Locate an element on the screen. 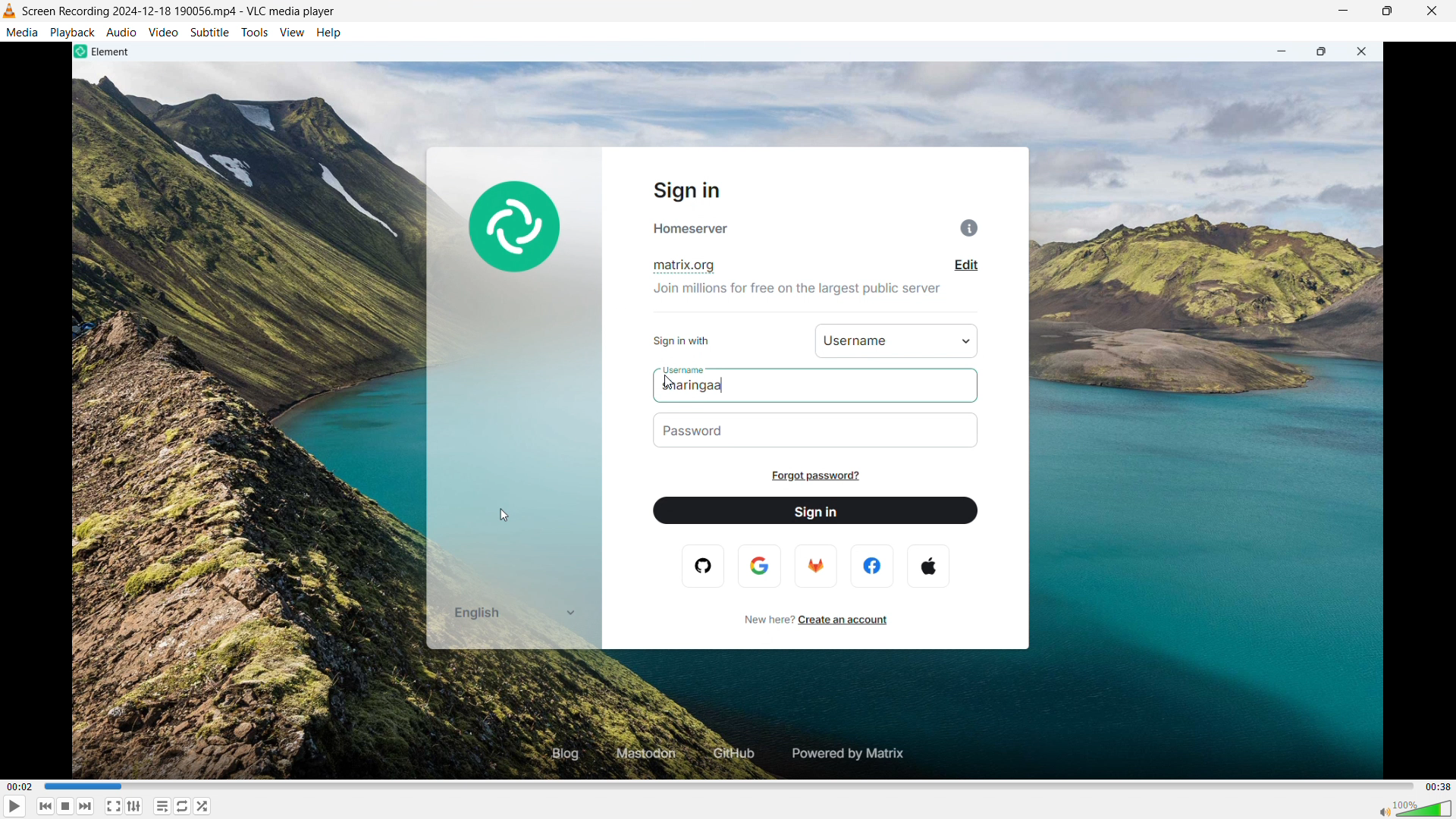  sign in with is located at coordinates (679, 337).